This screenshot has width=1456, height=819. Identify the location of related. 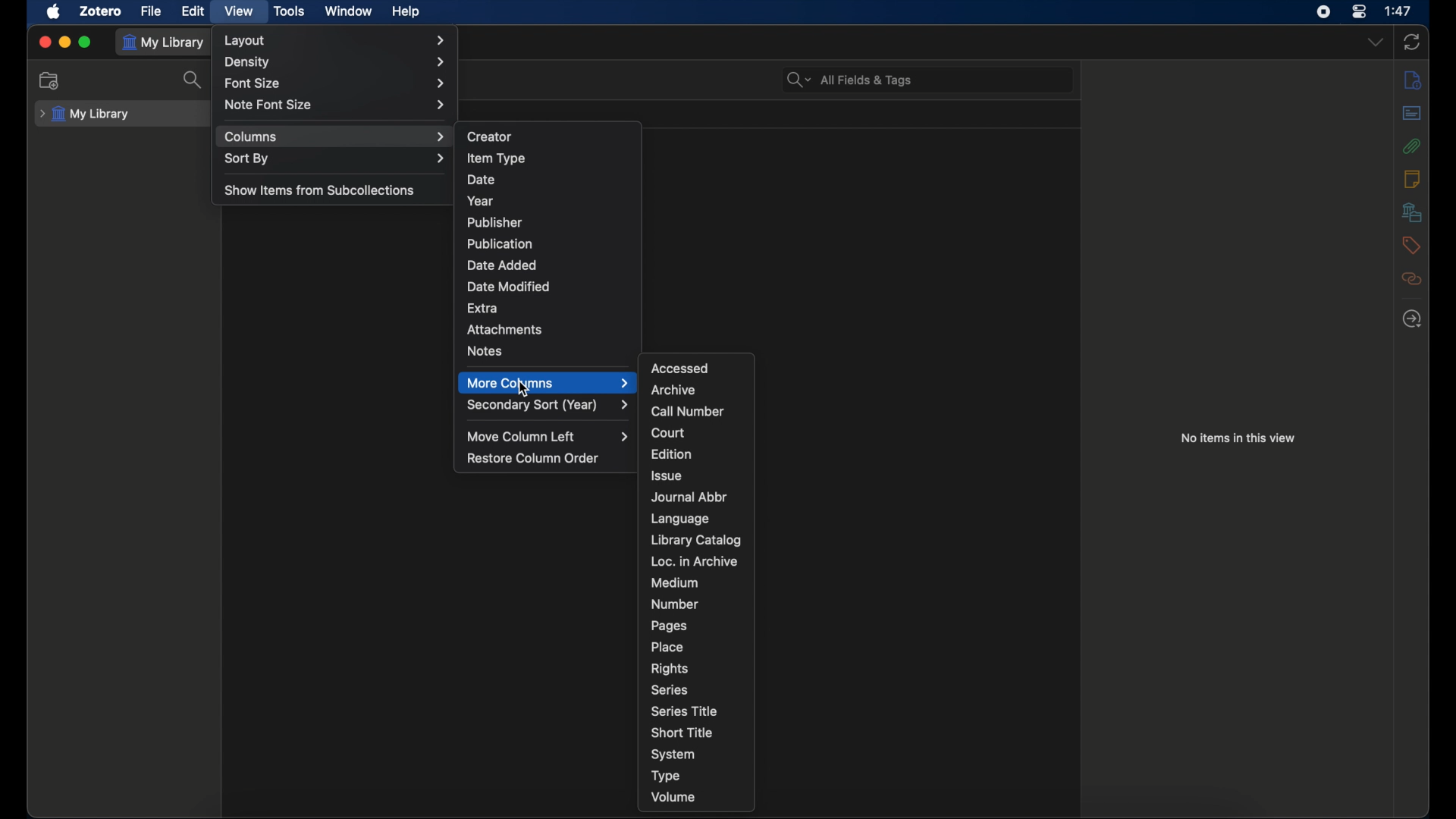
(1411, 278).